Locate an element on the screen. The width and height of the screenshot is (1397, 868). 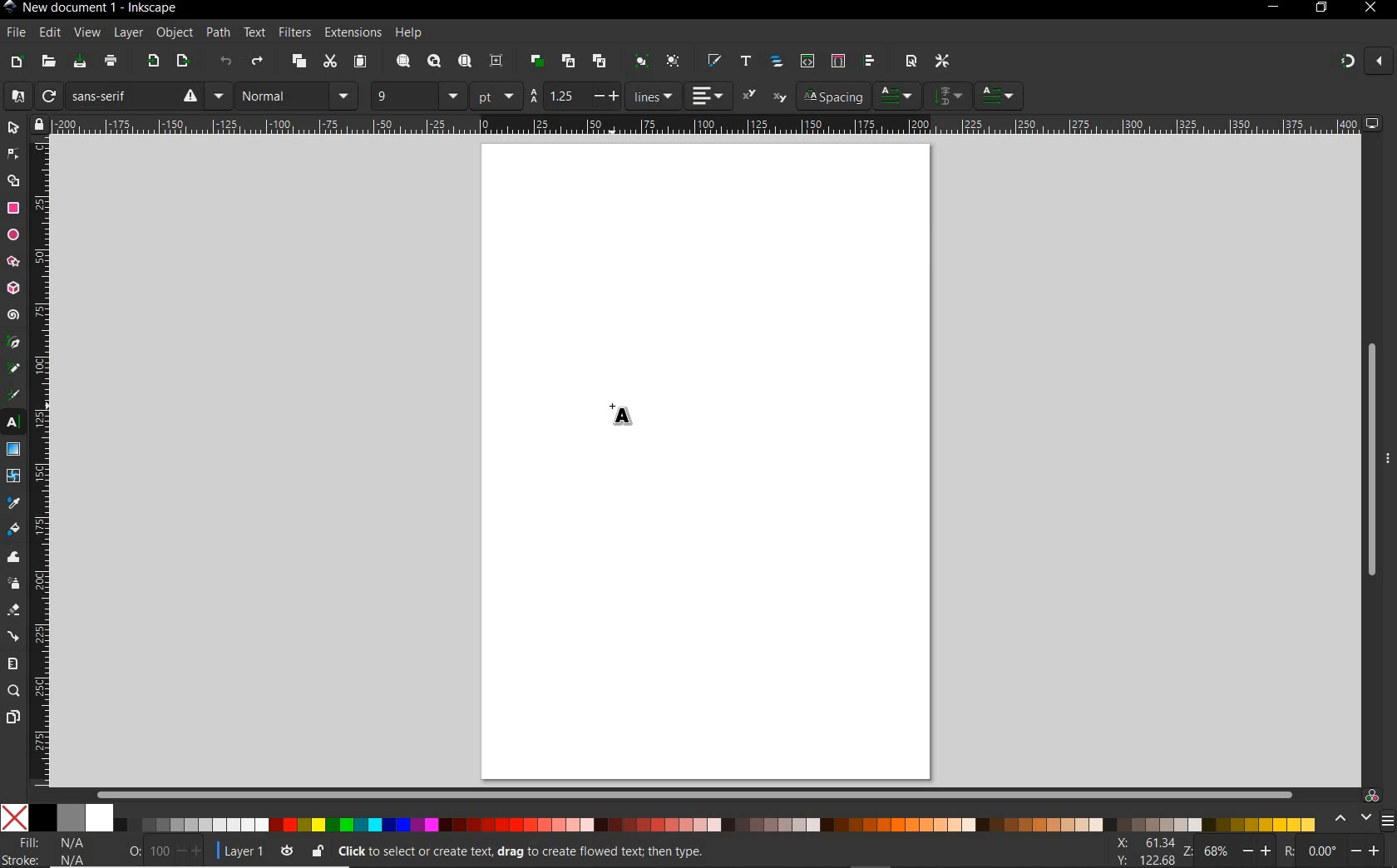
9 is located at coordinates (402, 94).